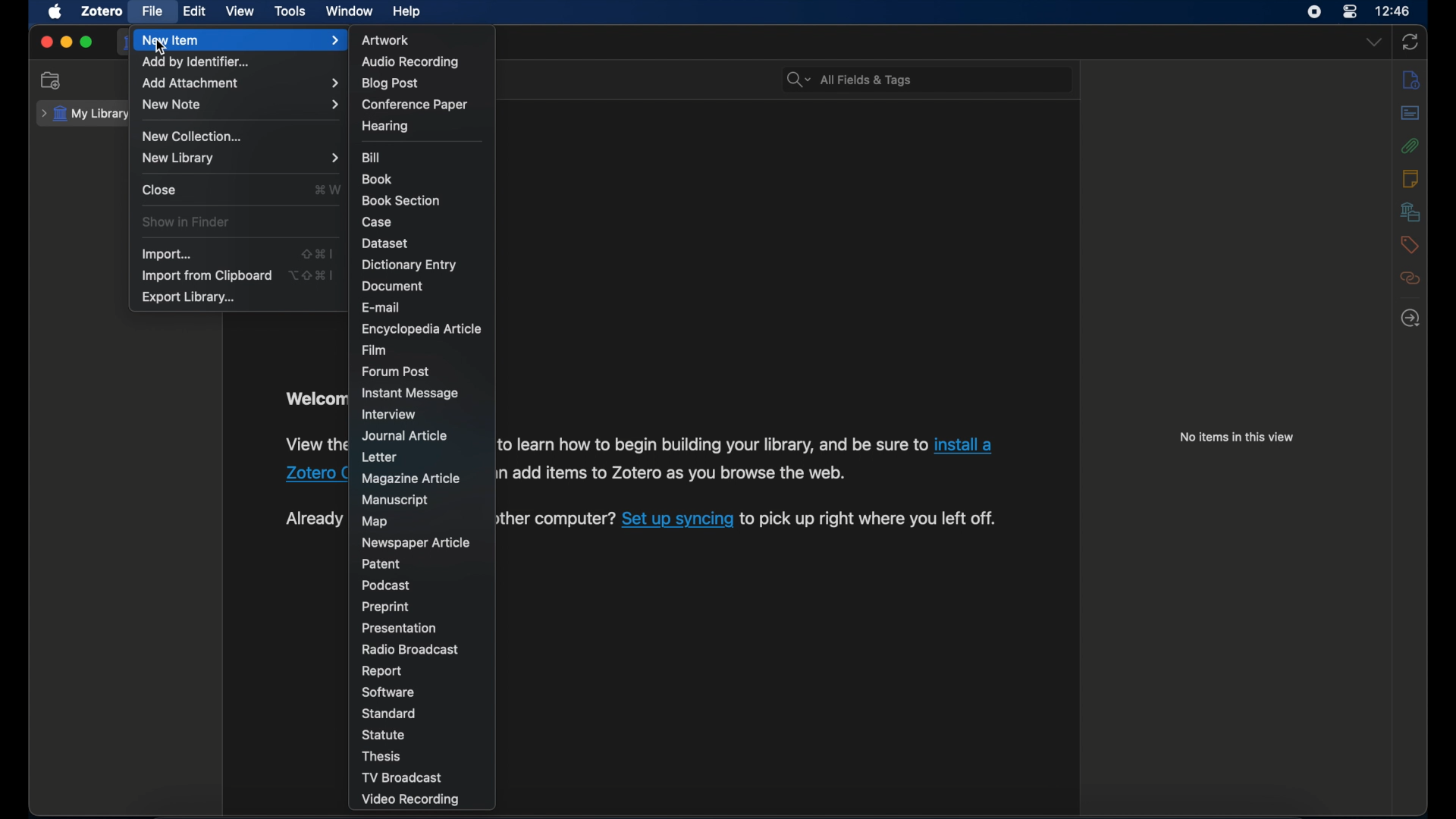  Describe the element at coordinates (1237, 437) in the screenshot. I see `no items in this  view` at that location.